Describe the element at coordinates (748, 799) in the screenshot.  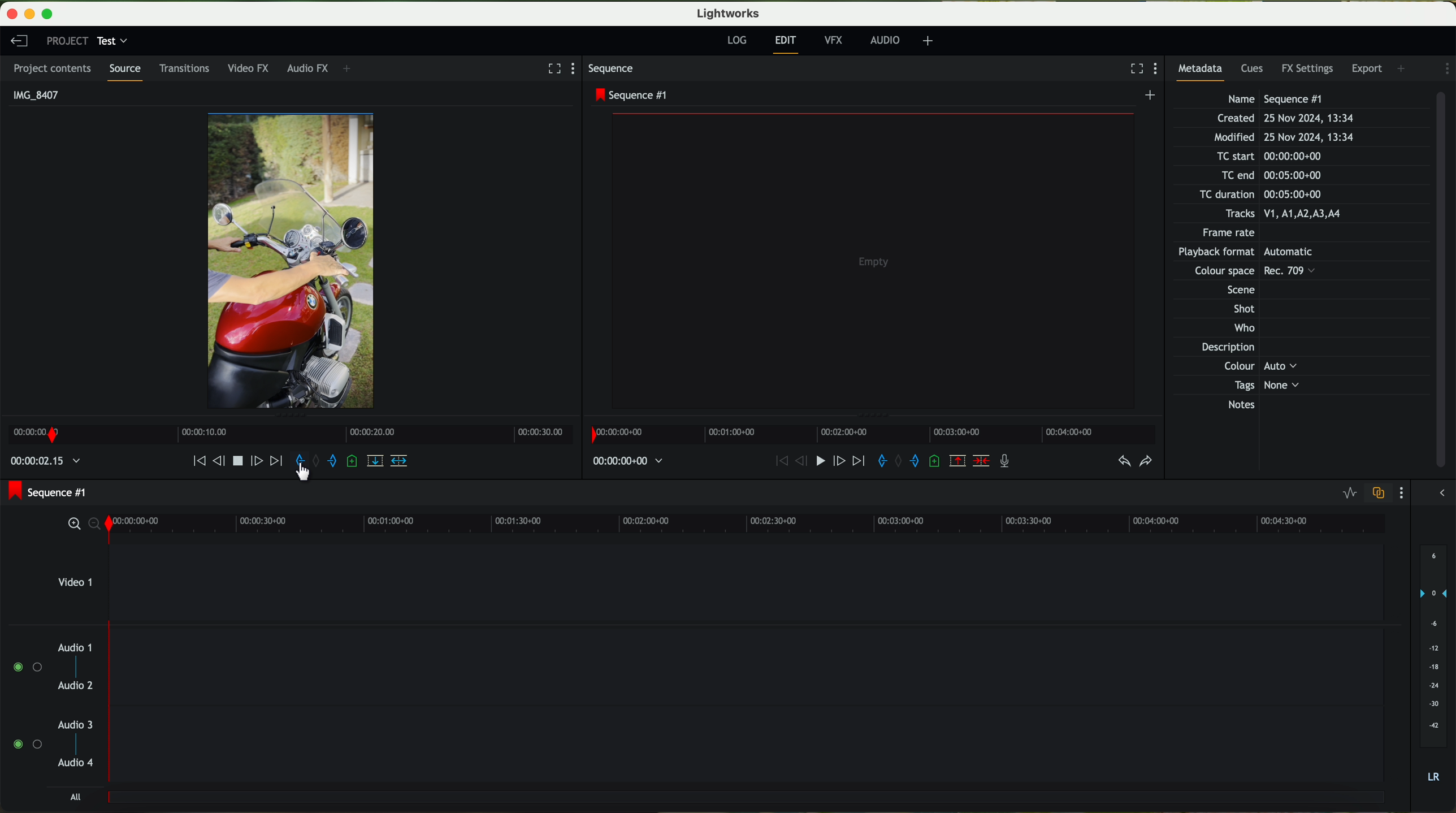
I see `track` at that location.